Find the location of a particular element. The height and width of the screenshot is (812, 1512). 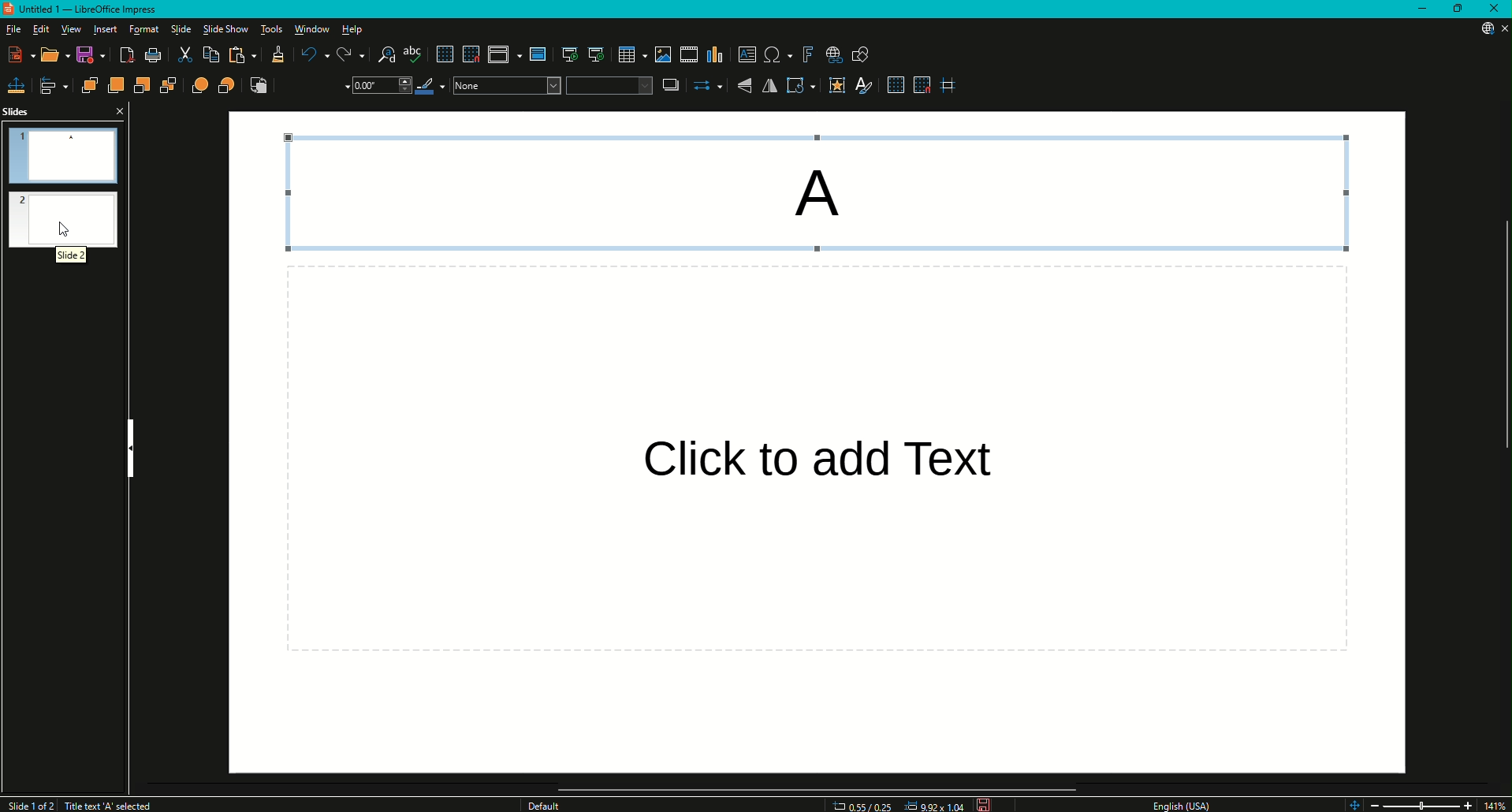

Close Presentation is located at coordinates (1501, 28).